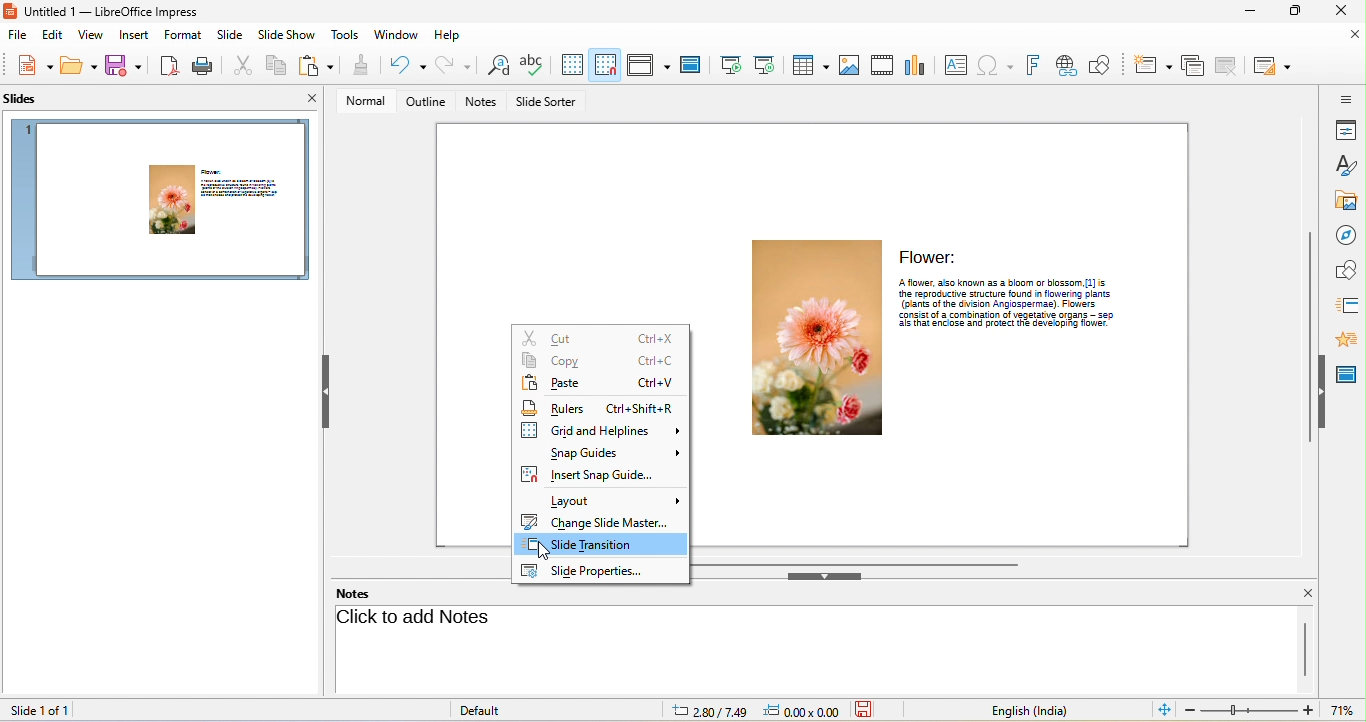  I want to click on rulers, so click(604, 408).